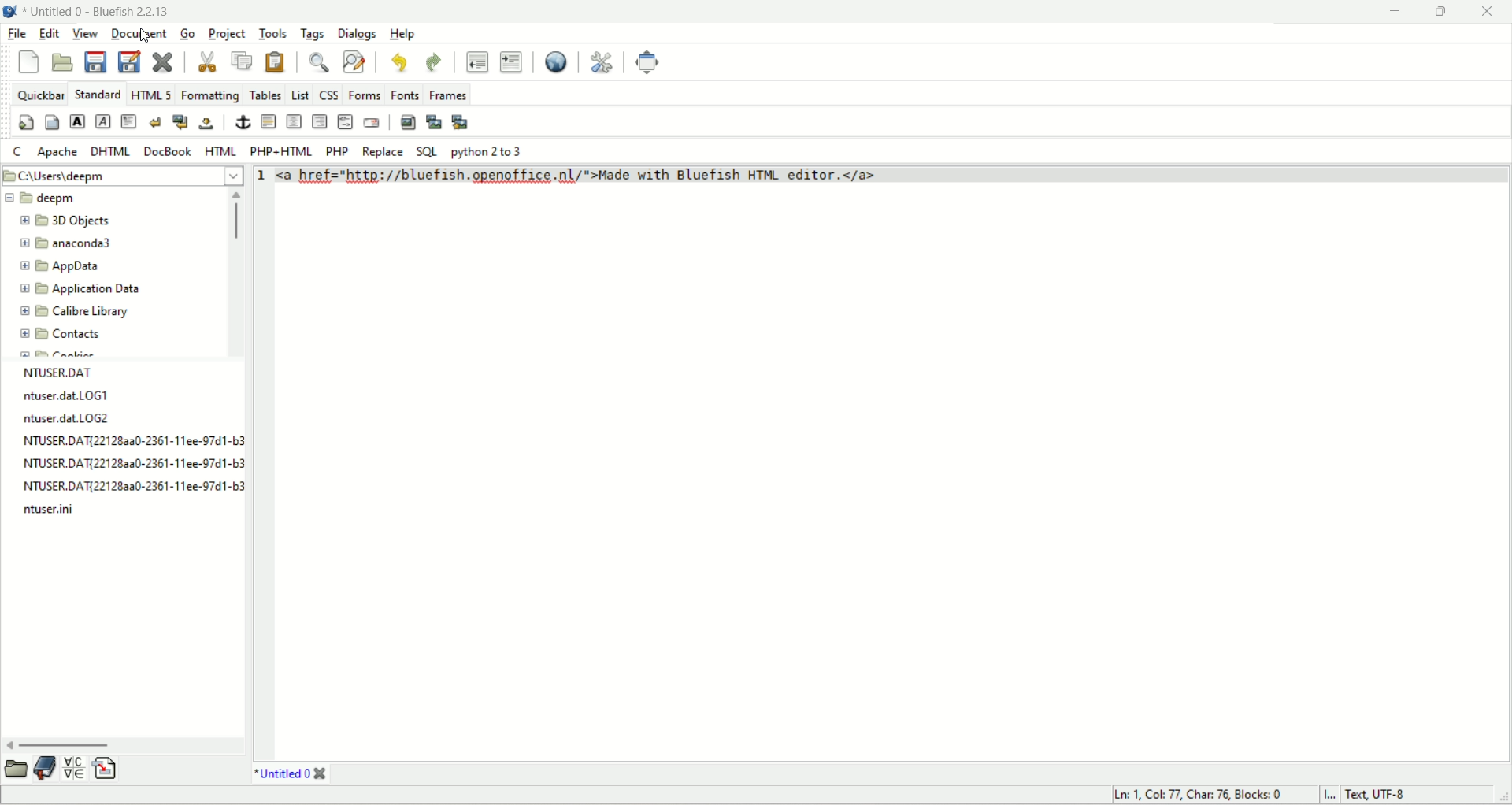 The image size is (1512, 805). Describe the element at coordinates (434, 124) in the screenshot. I see `insert thumbnail` at that location.